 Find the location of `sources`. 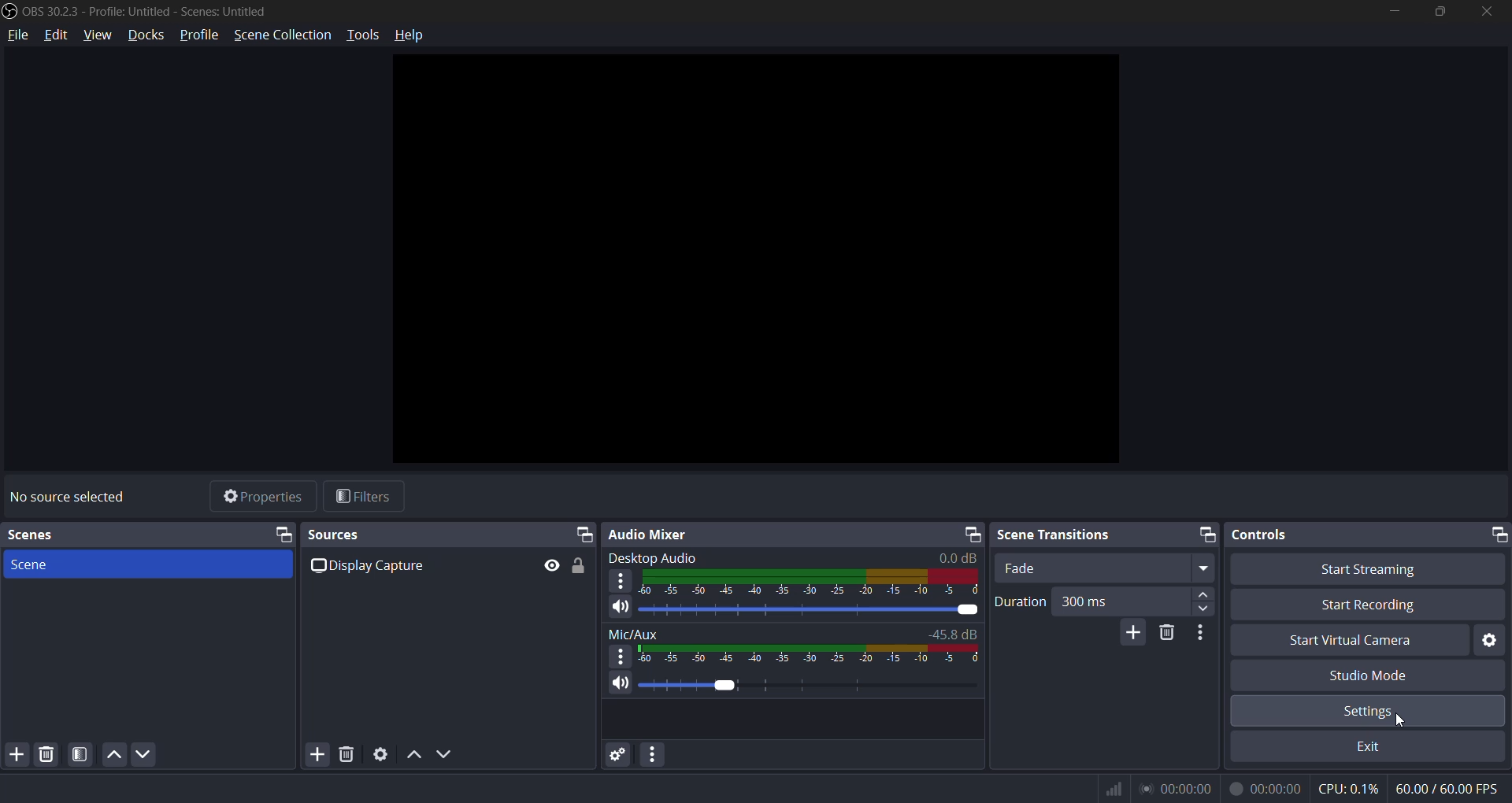

sources is located at coordinates (437, 535).